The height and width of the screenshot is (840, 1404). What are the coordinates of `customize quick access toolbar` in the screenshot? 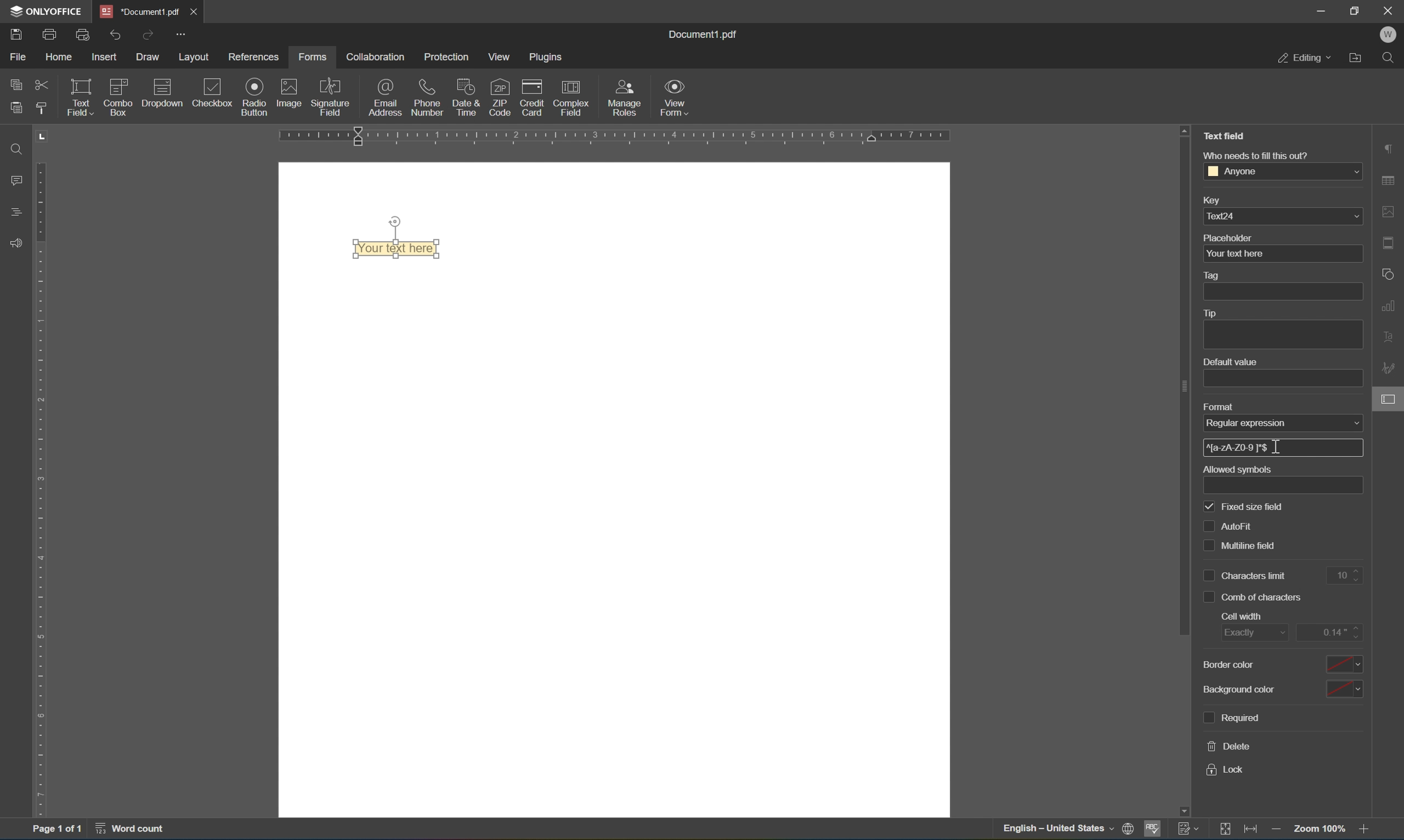 It's located at (179, 33).